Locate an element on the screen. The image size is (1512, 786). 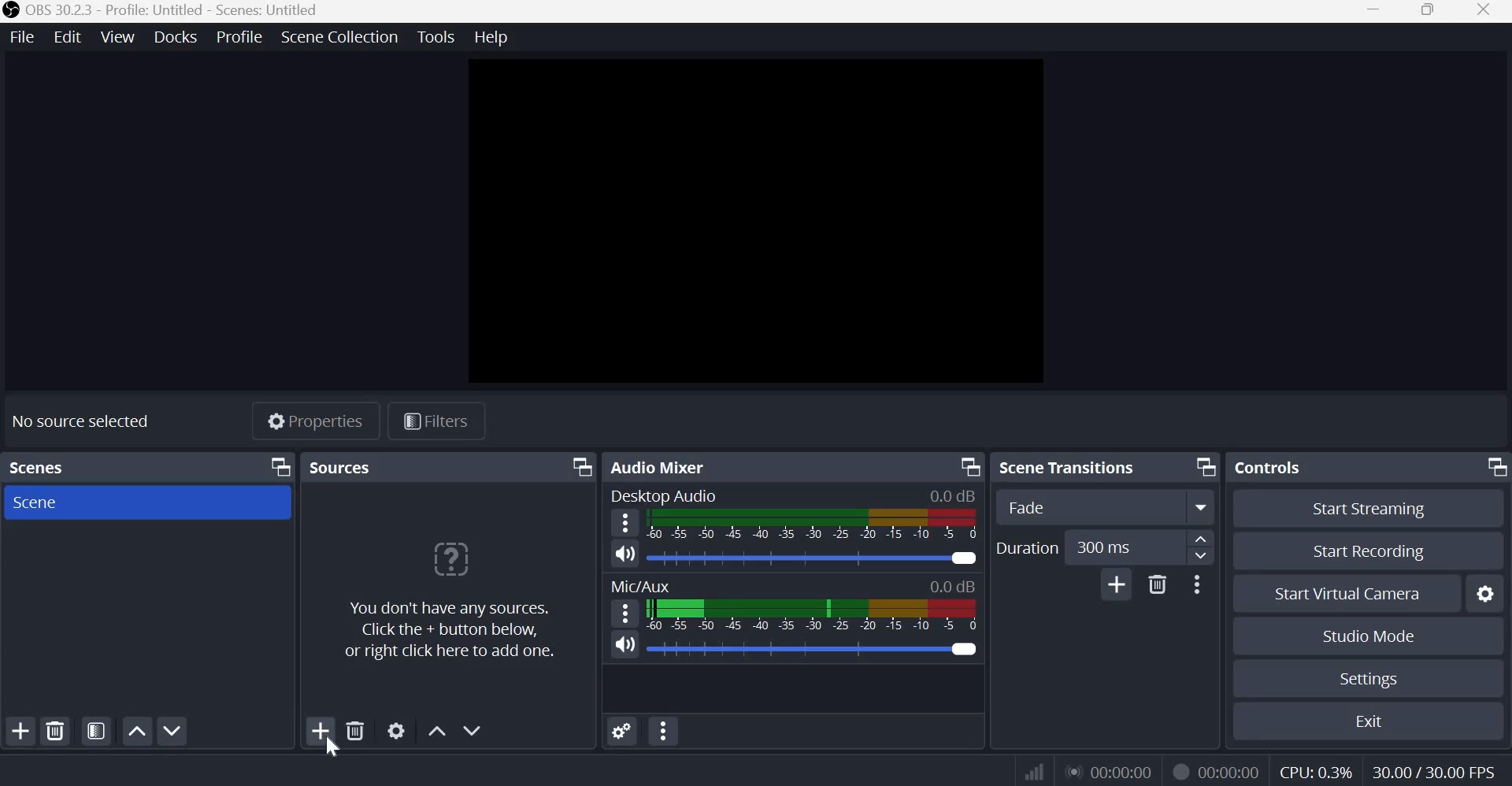
Live Duration Timer is located at coordinates (1111, 771).